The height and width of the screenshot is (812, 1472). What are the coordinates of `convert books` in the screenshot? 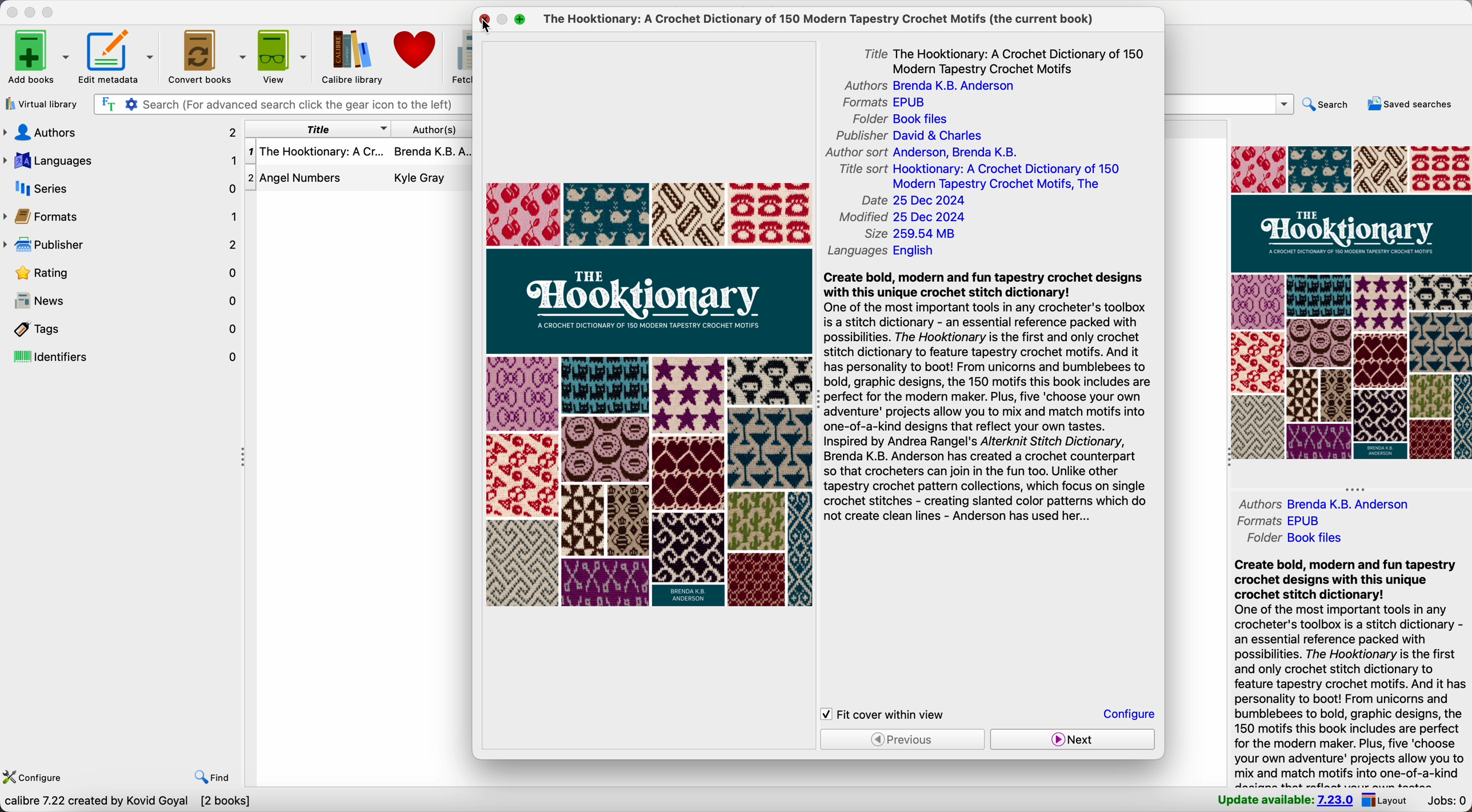 It's located at (205, 55).